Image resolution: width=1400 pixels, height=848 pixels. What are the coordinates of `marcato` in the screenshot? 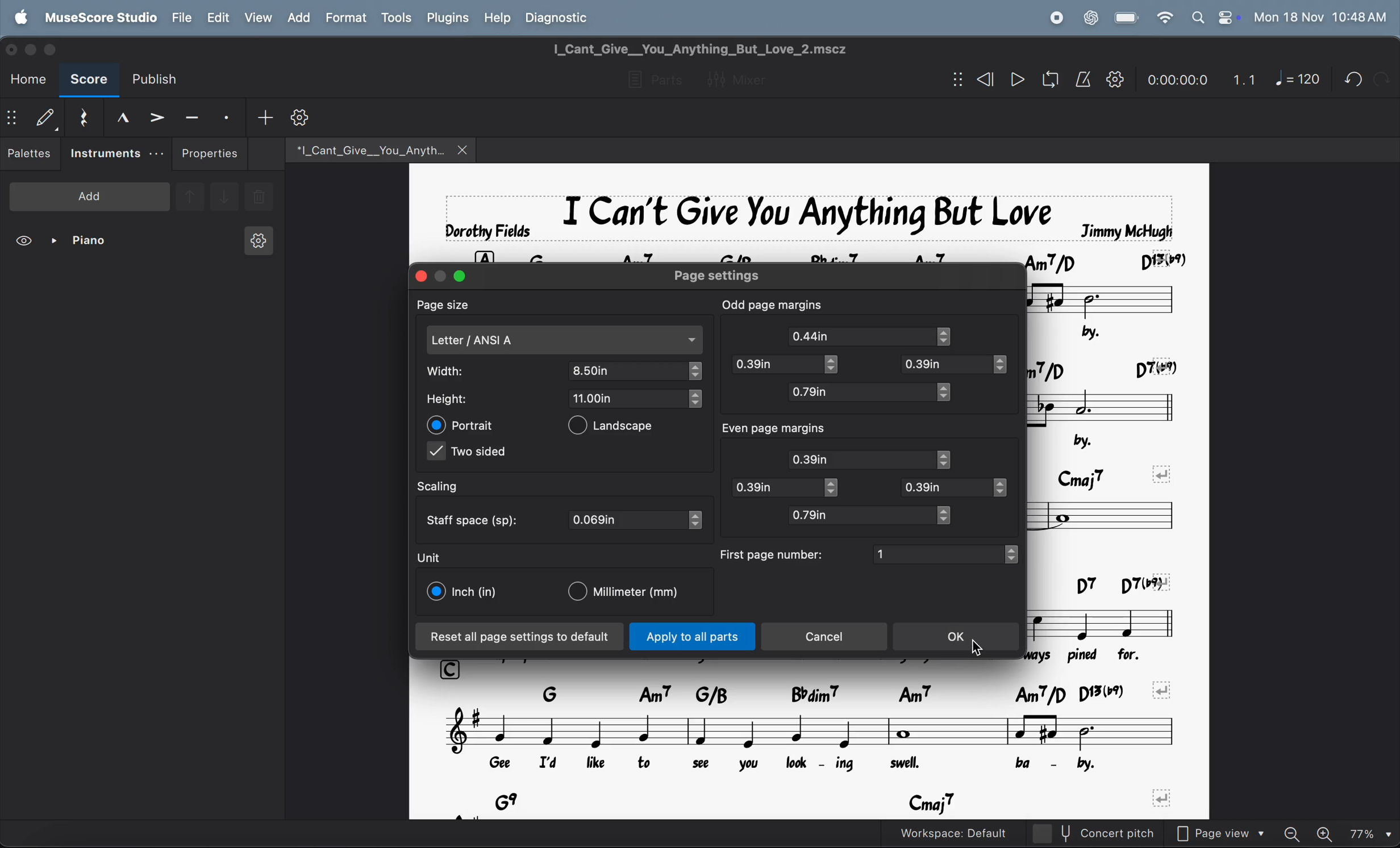 It's located at (118, 117).